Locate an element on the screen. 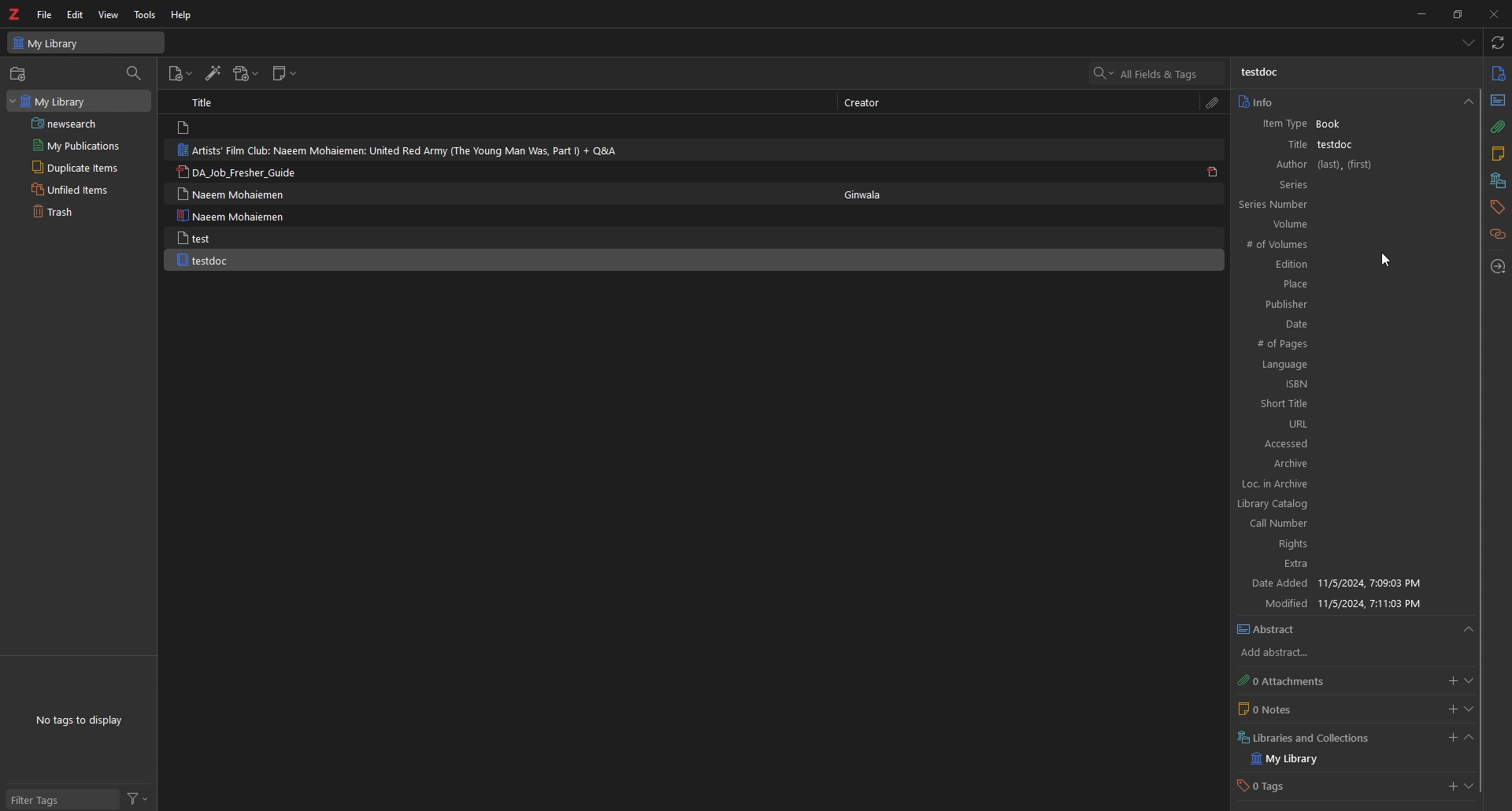  Trash is located at coordinates (77, 212).